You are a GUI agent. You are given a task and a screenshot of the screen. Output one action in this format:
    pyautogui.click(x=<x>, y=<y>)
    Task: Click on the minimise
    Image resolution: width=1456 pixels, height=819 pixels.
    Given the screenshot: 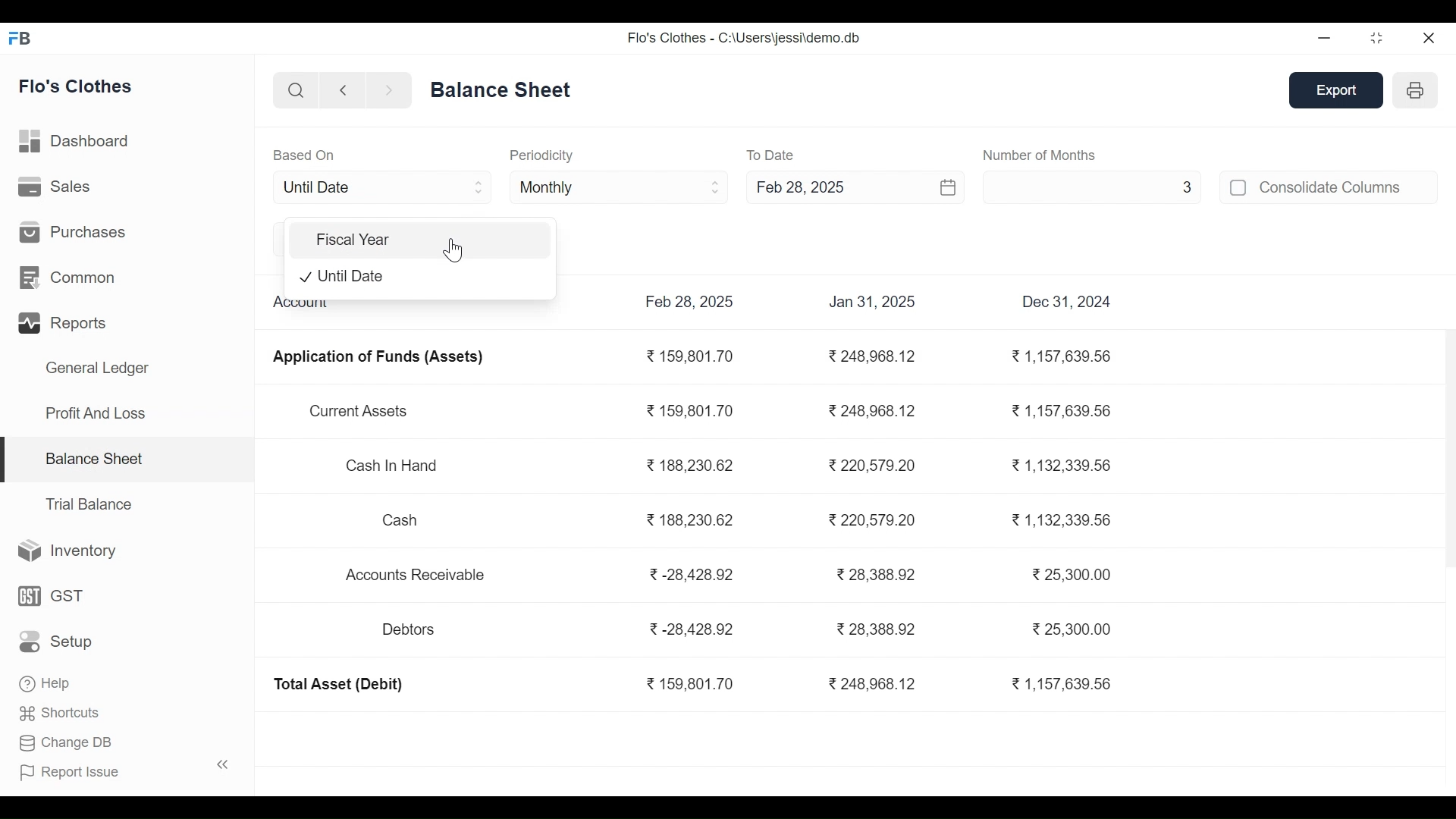 What is the action you would take?
    pyautogui.click(x=1326, y=37)
    